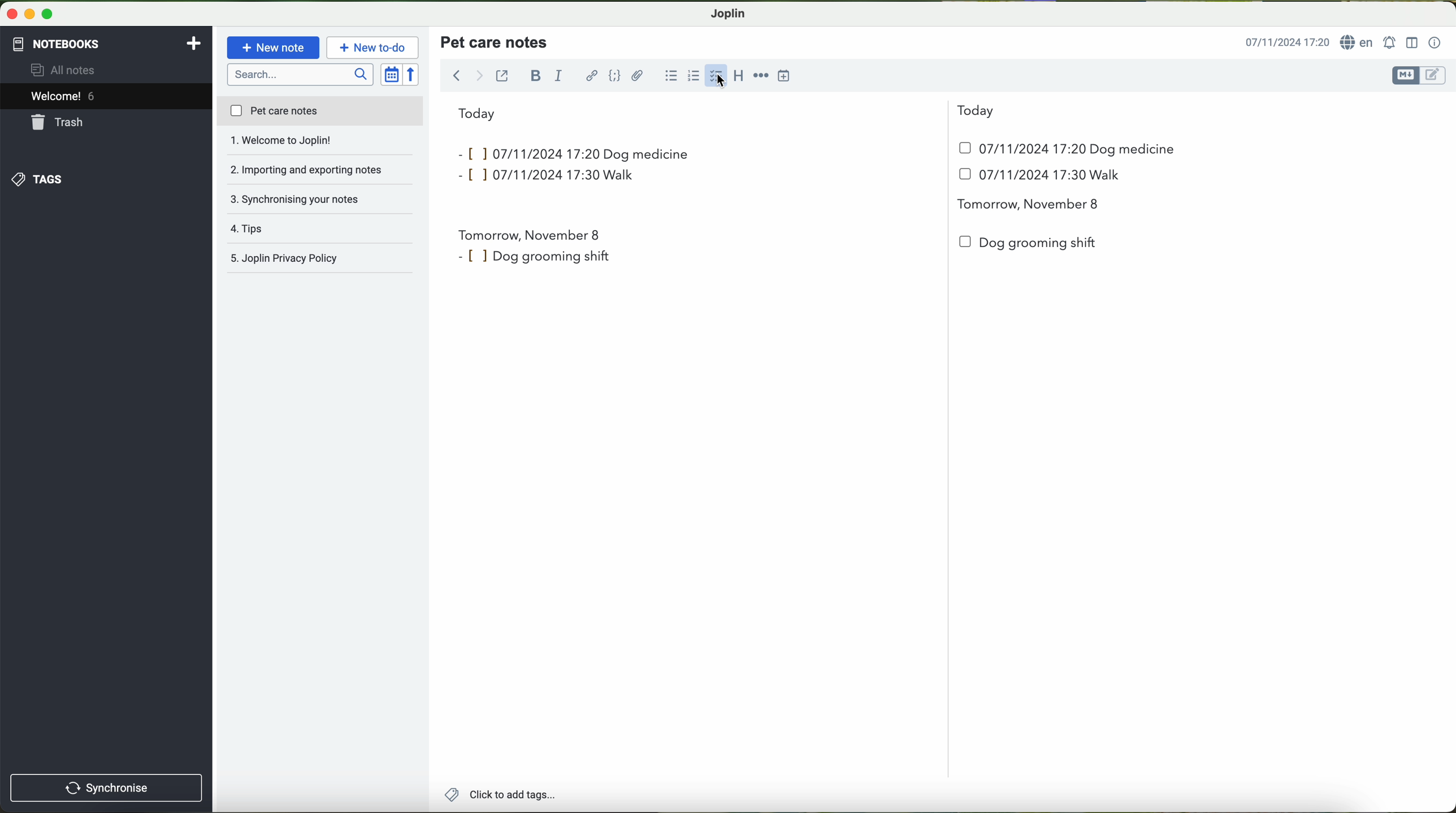  I want to click on Joplin, so click(729, 12).